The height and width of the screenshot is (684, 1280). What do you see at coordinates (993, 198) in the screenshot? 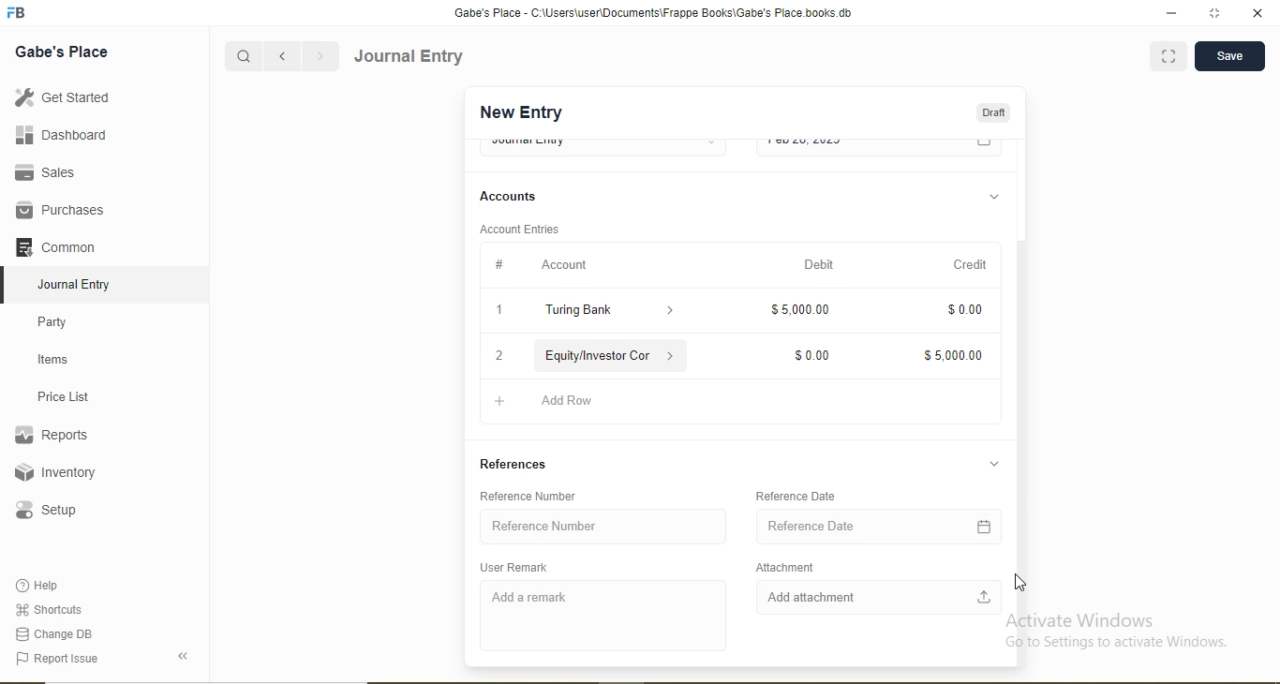
I see `Dropdown` at bounding box center [993, 198].